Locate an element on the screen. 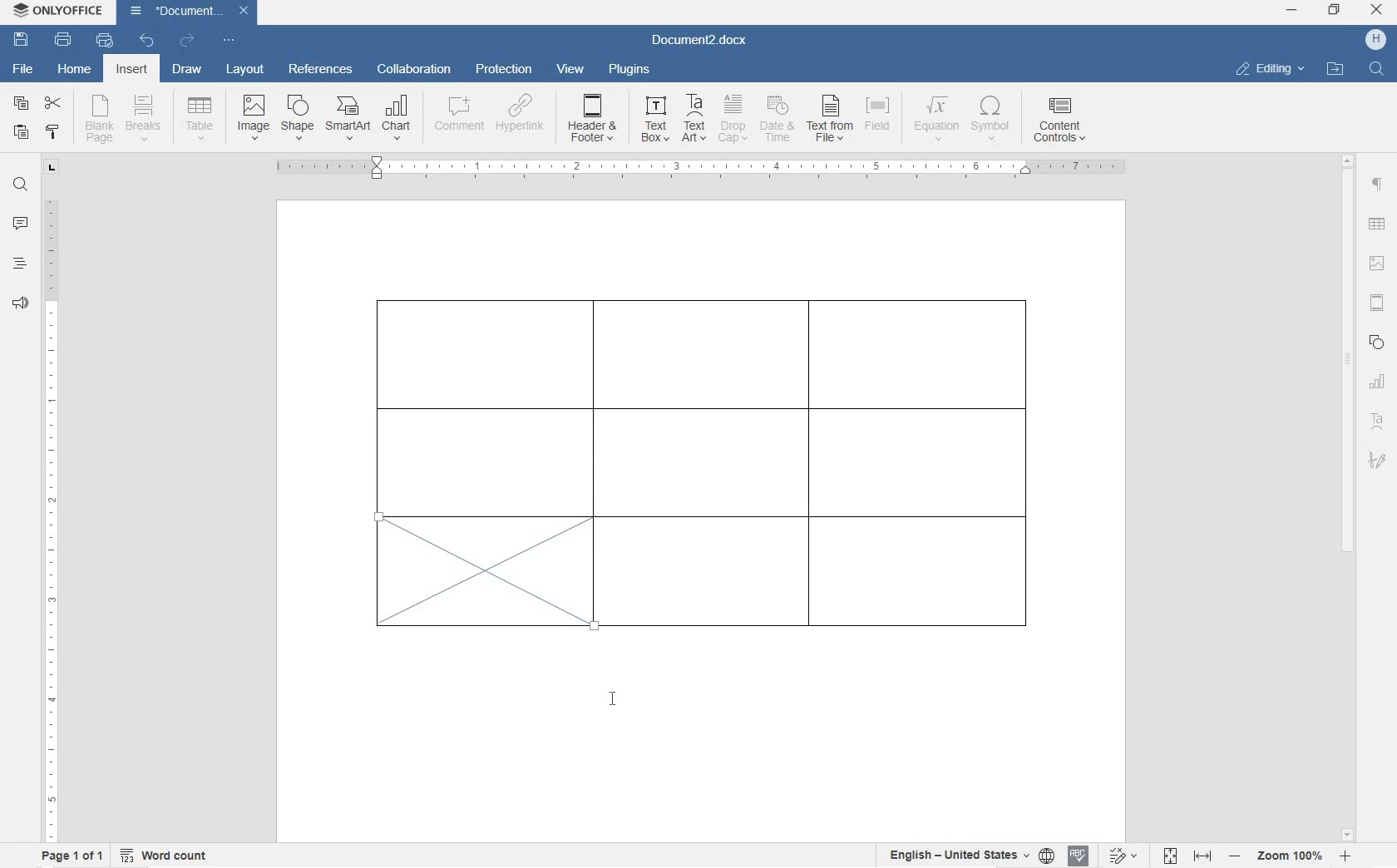 This screenshot has width=1397, height=868. collaboration is located at coordinates (414, 70).